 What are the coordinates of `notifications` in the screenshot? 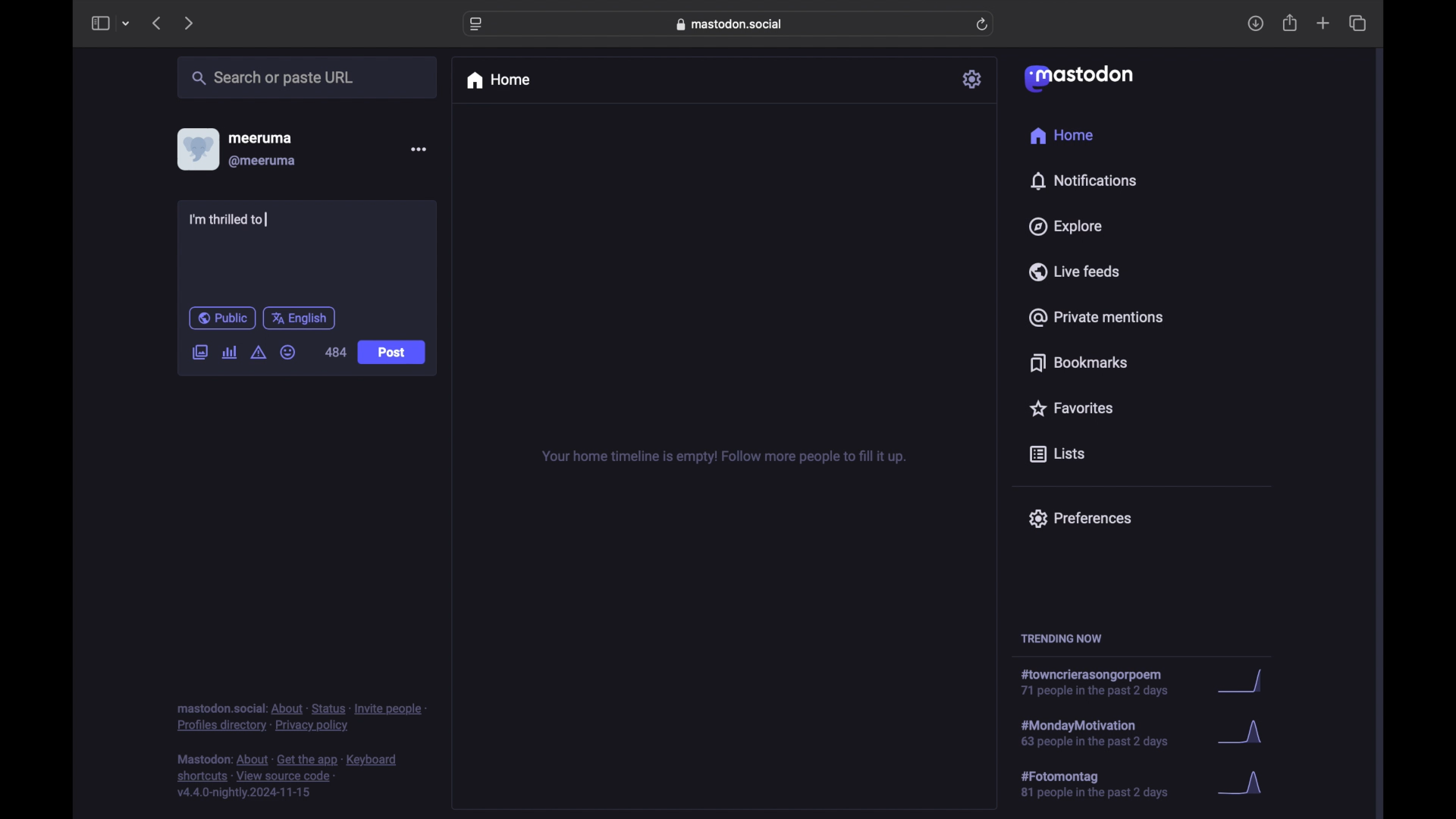 It's located at (1083, 181).